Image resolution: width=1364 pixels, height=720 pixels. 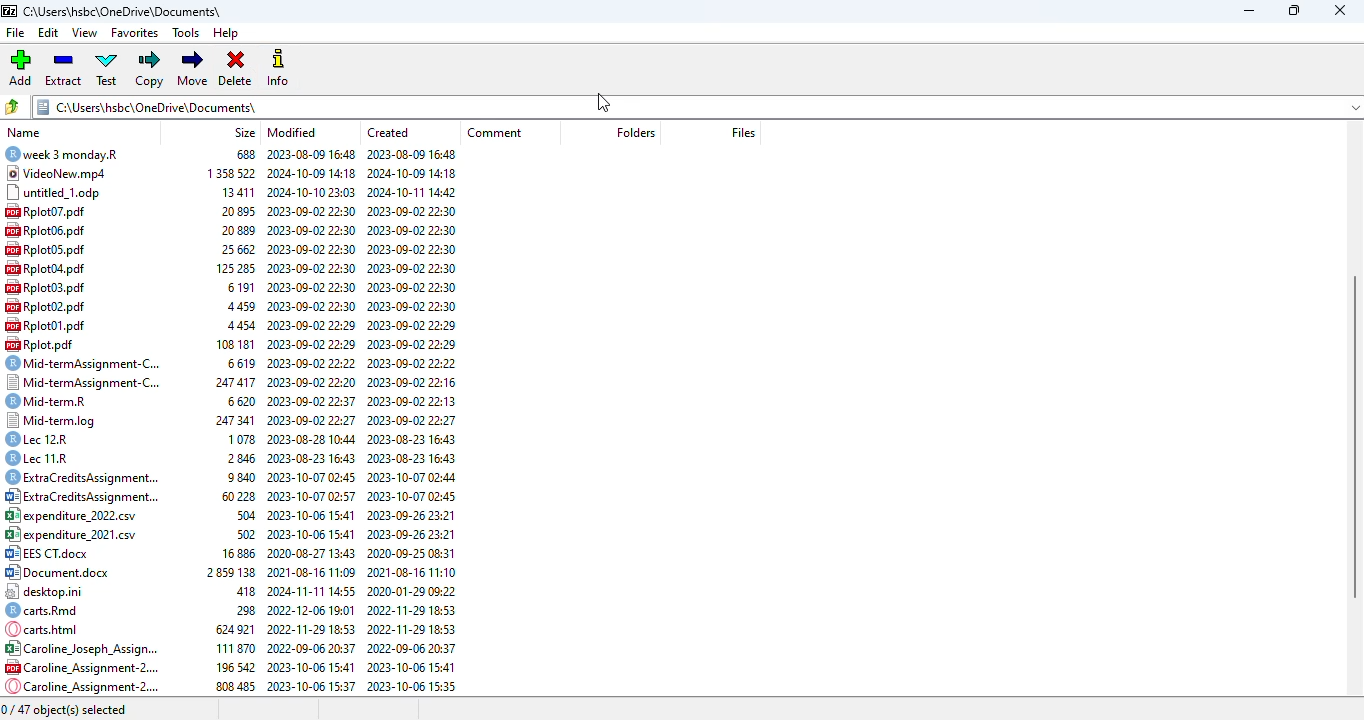 I want to click on Rplot02.pdf, so click(x=65, y=308).